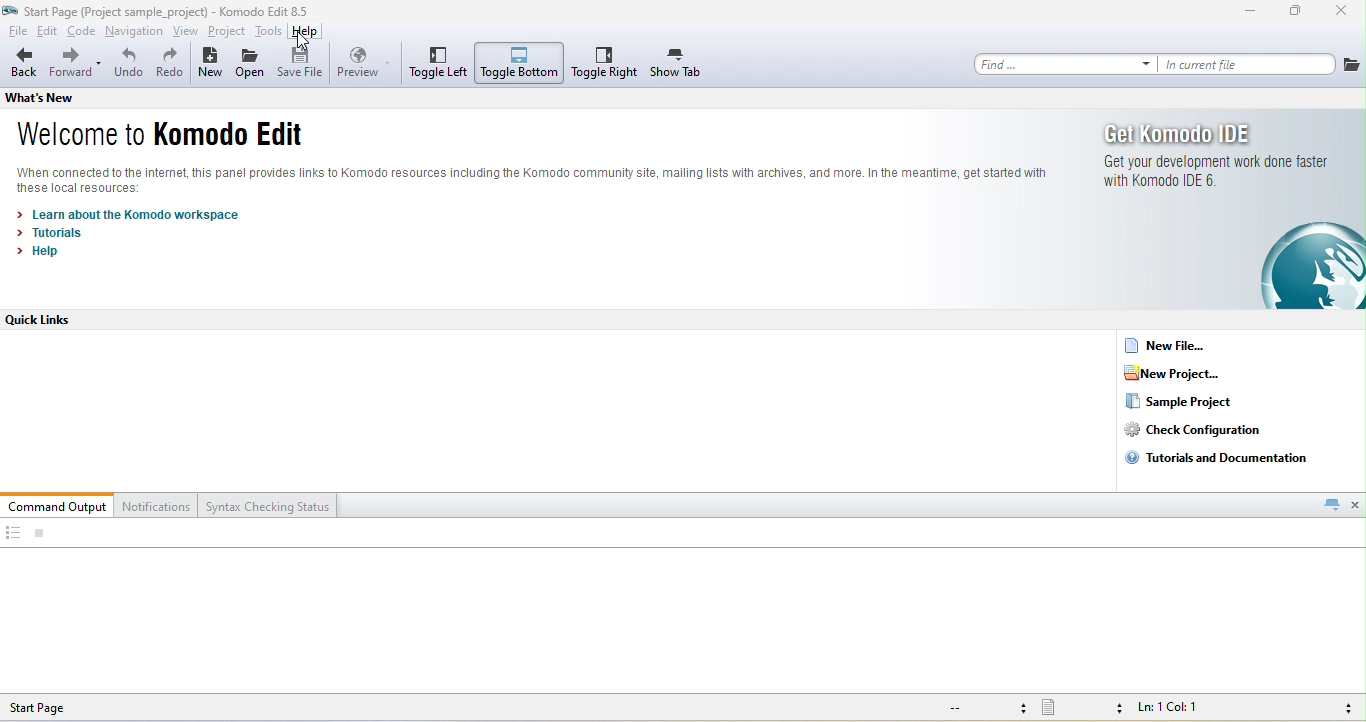  What do you see at coordinates (1248, 64) in the screenshot?
I see `in current file` at bounding box center [1248, 64].